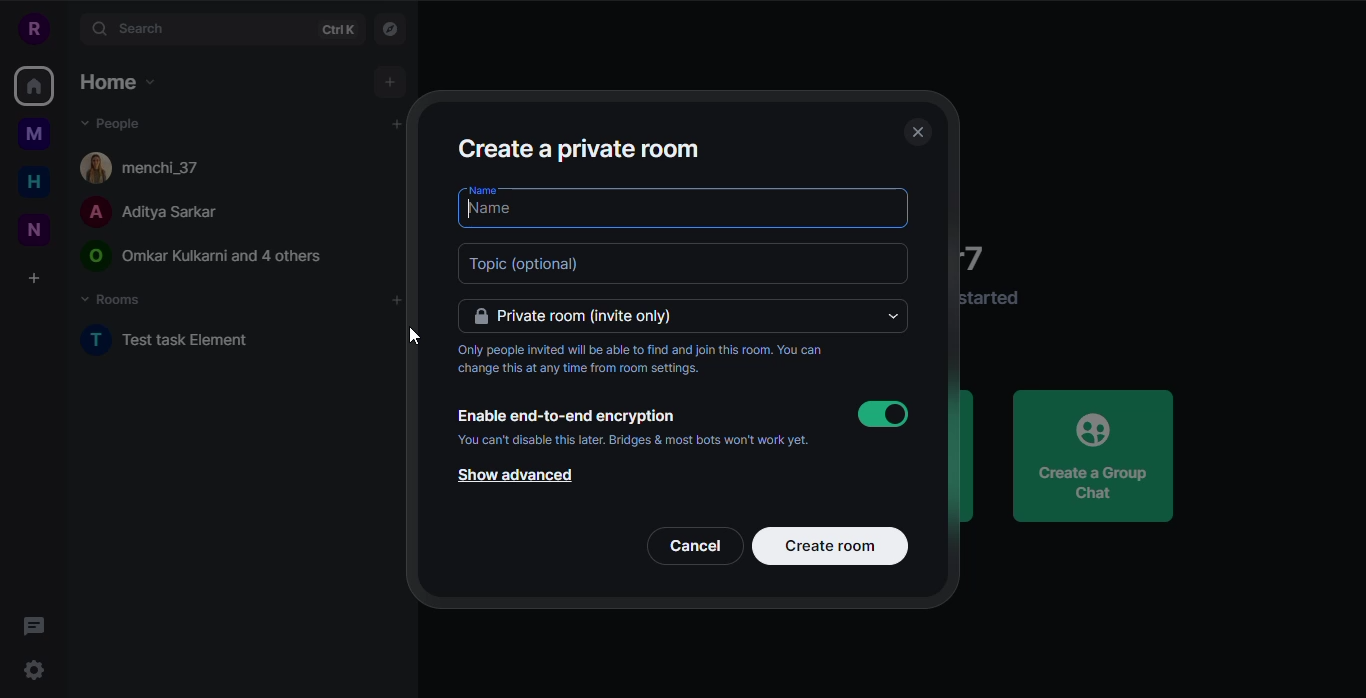 Image resolution: width=1366 pixels, height=698 pixels. What do you see at coordinates (633, 440) in the screenshot?
I see `info` at bounding box center [633, 440].